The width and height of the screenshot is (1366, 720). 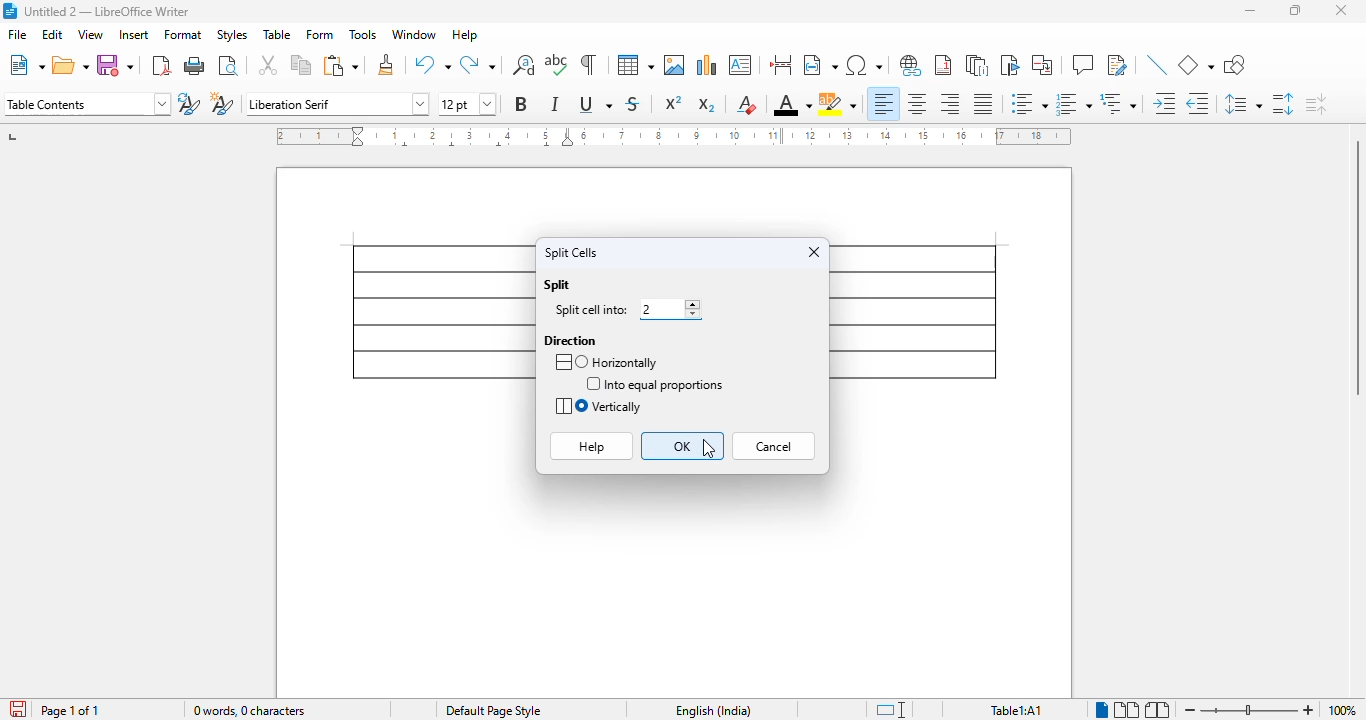 What do you see at coordinates (572, 253) in the screenshot?
I see `split cells` at bounding box center [572, 253].